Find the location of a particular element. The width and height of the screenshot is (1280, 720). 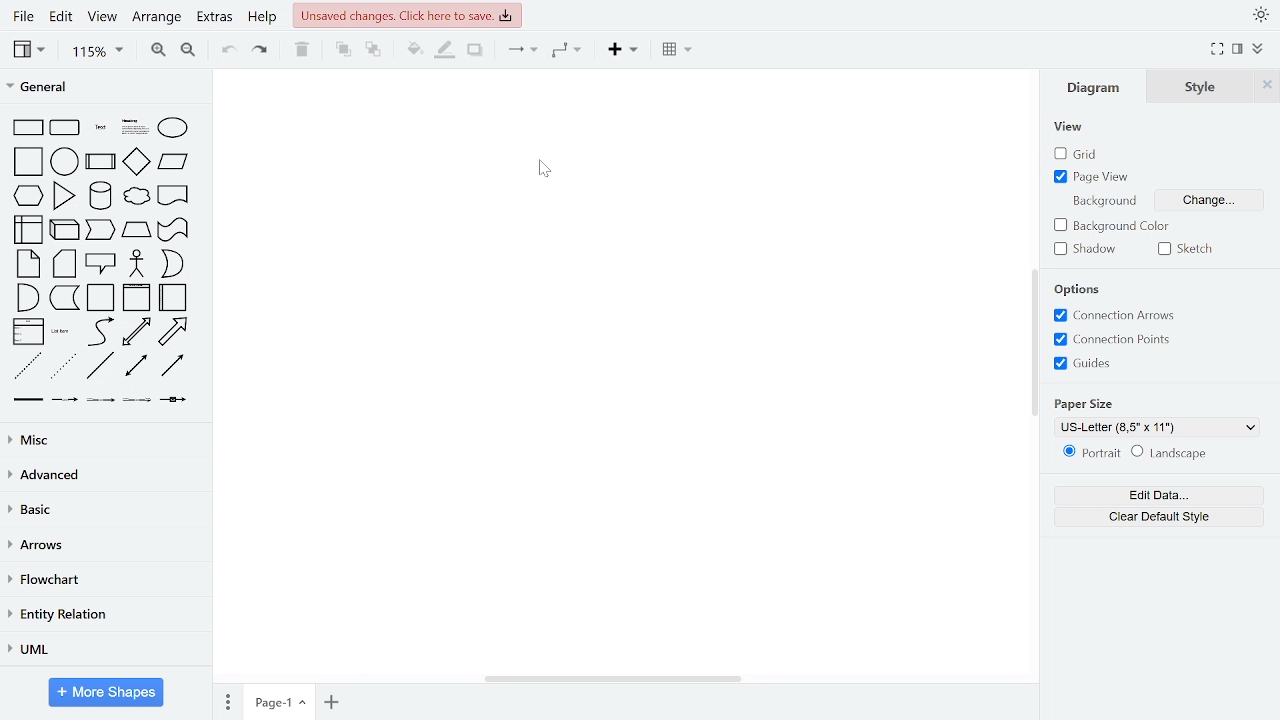

page view is located at coordinates (1094, 177).